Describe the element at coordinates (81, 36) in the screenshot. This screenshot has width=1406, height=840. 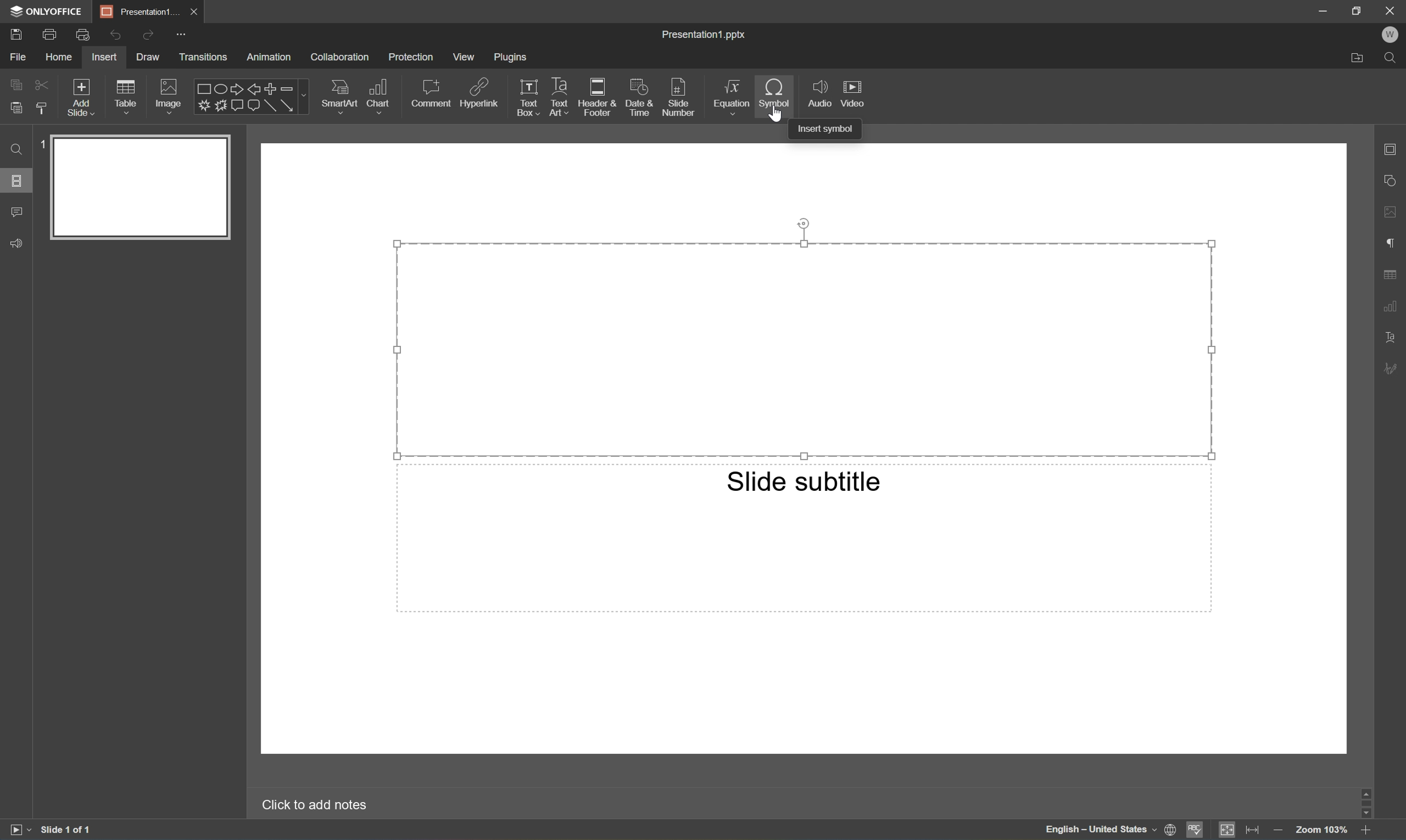
I see `Quick print` at that location.